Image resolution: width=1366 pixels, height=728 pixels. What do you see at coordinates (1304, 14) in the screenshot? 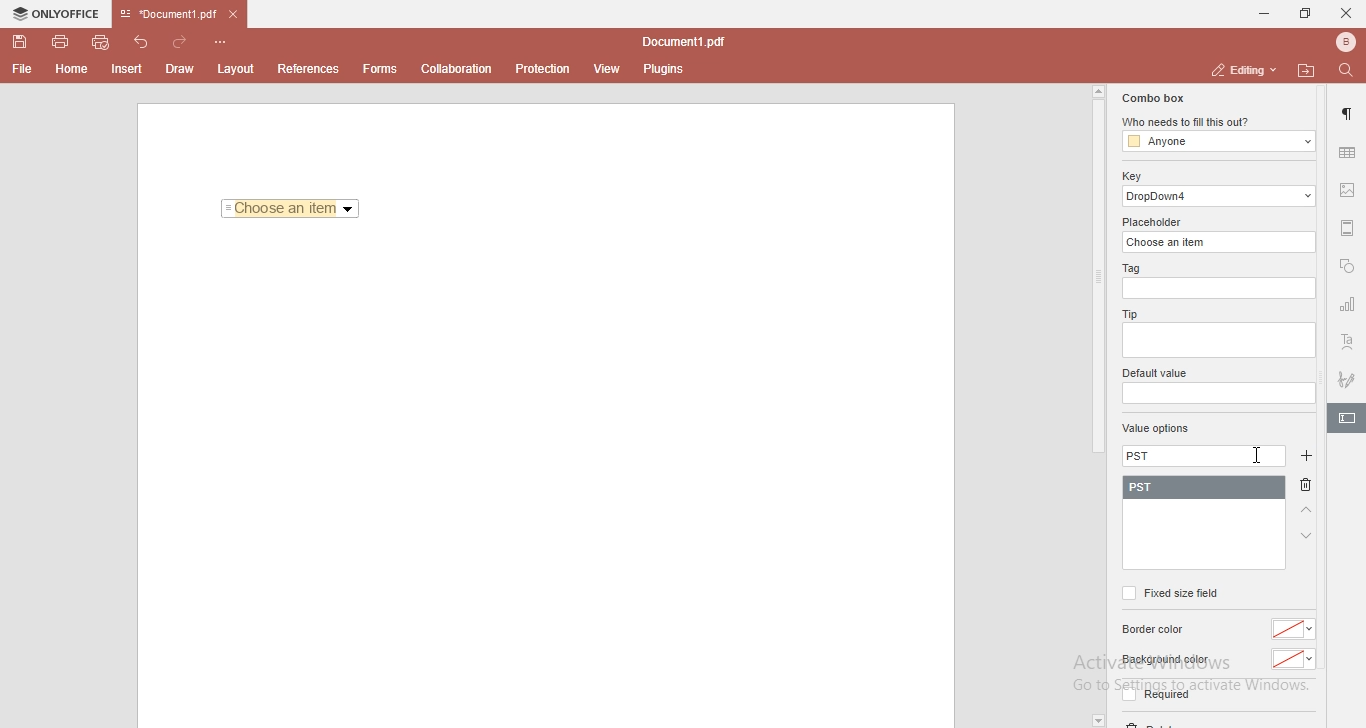
I see `restore` at bounding box center [1304, 14].